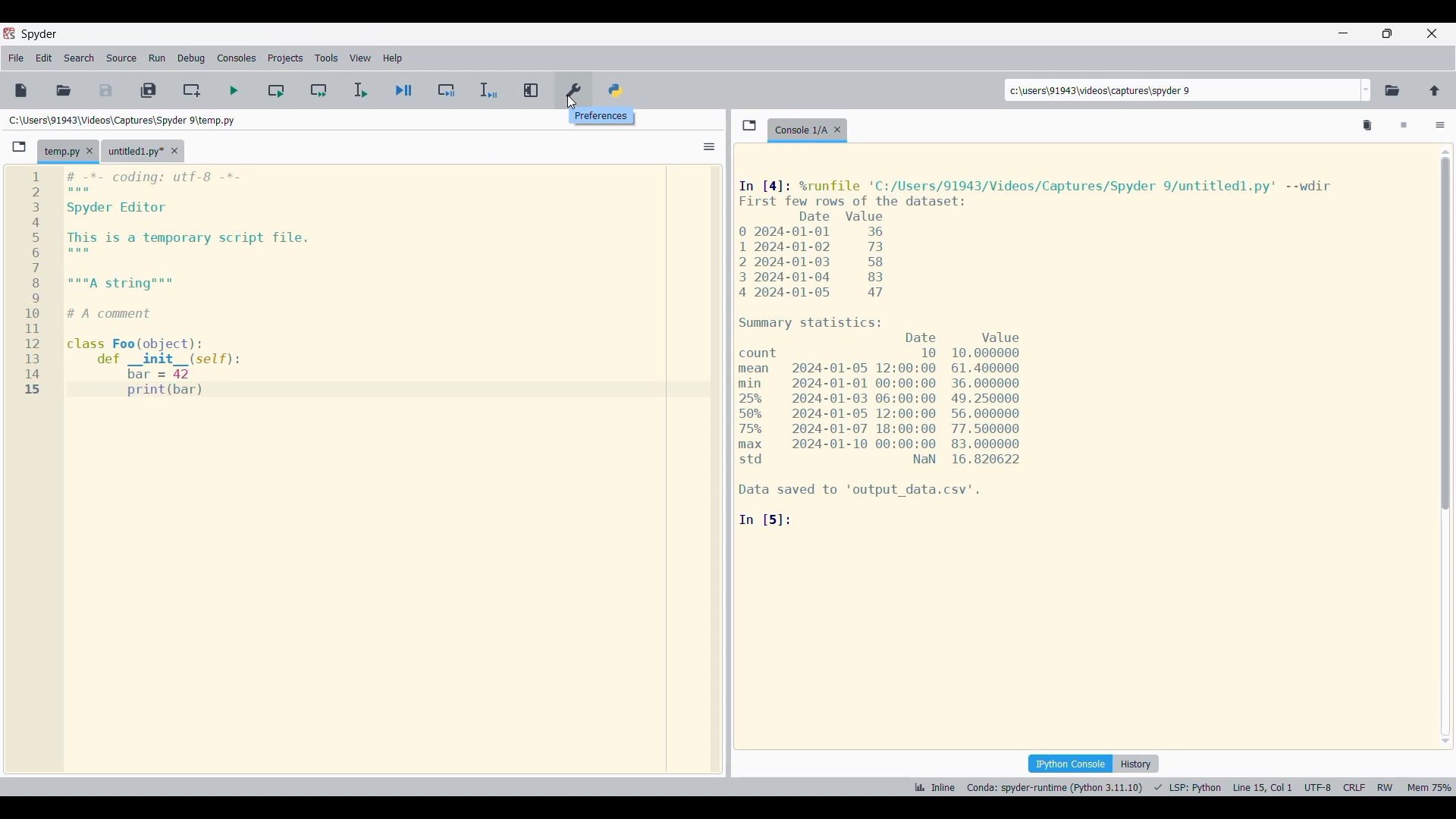  I want to click on Interrupt kernel, so click(1404, 126).